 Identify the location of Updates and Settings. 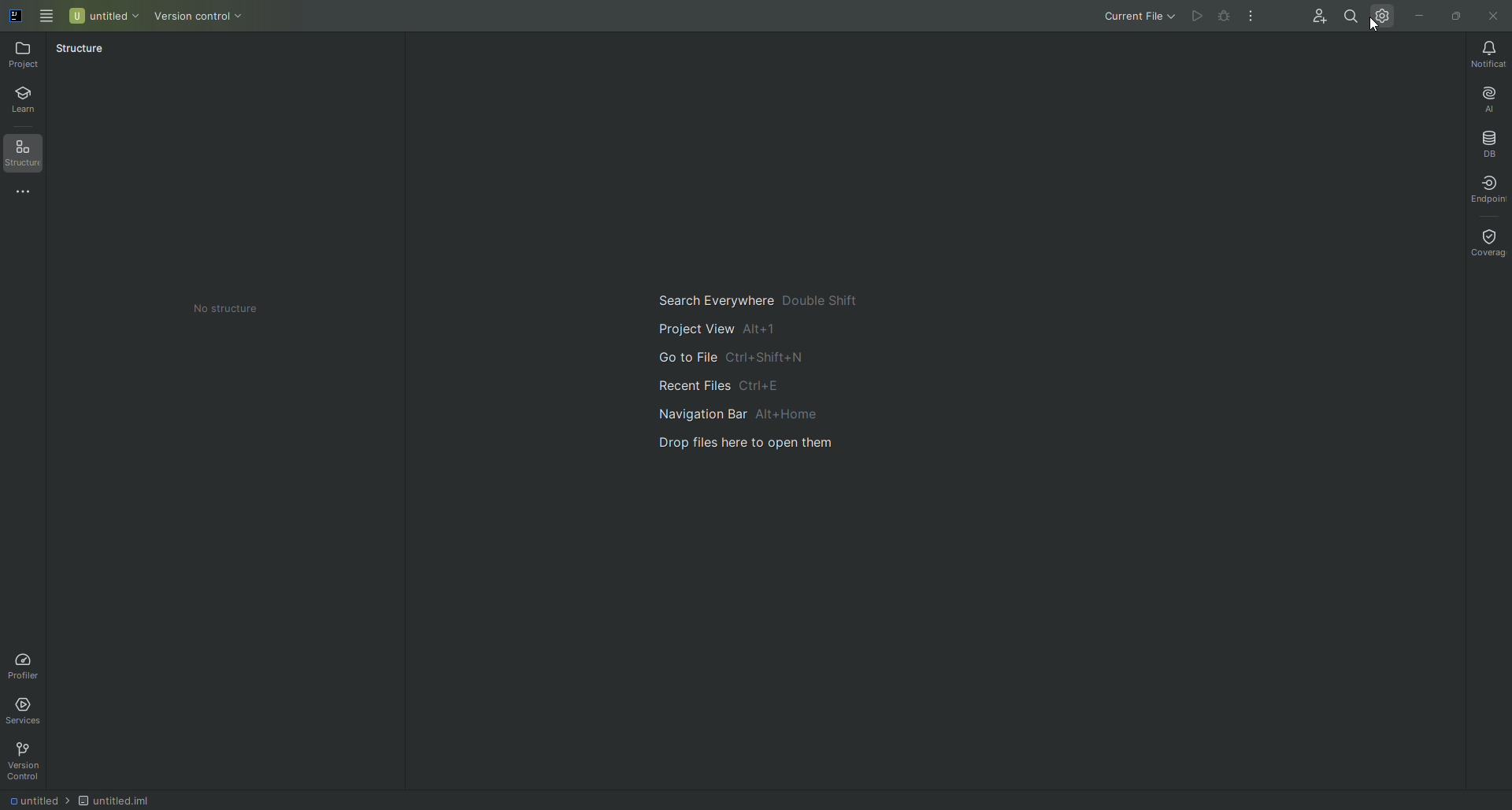
(1380, 17).